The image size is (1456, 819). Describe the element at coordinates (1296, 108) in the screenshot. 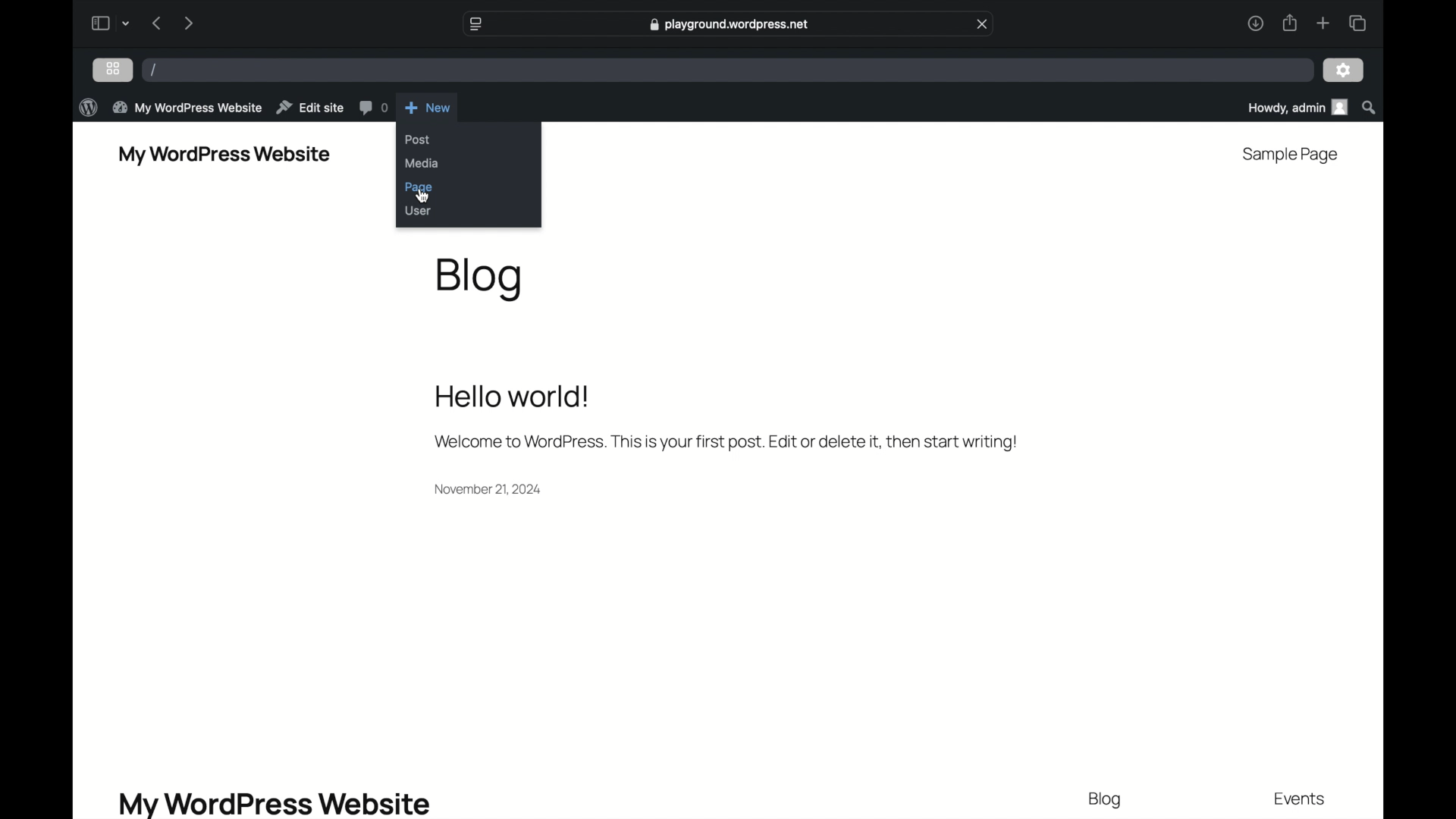

I see `how dy admin` at that location.